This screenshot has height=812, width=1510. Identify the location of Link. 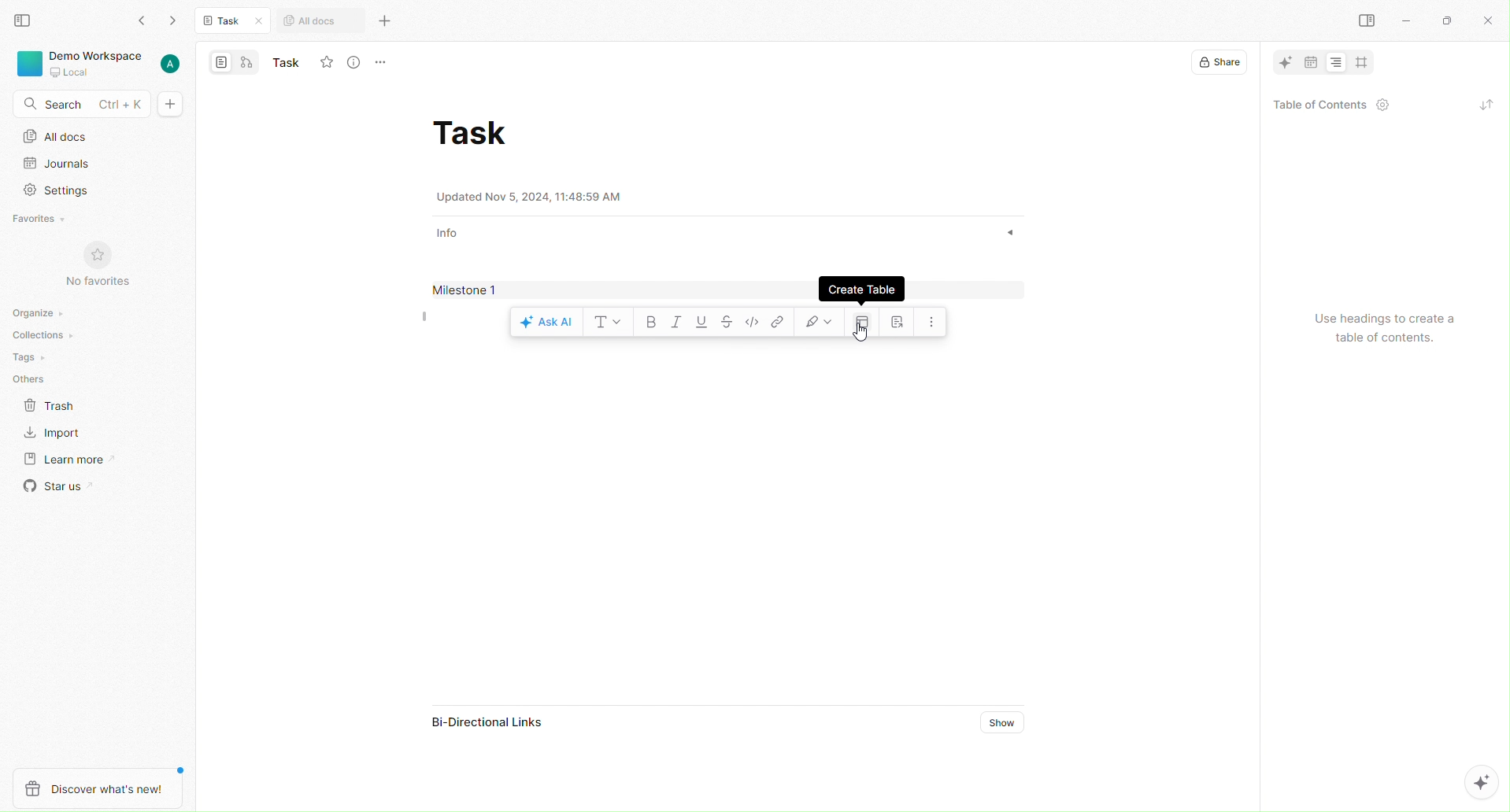
(779, 323).